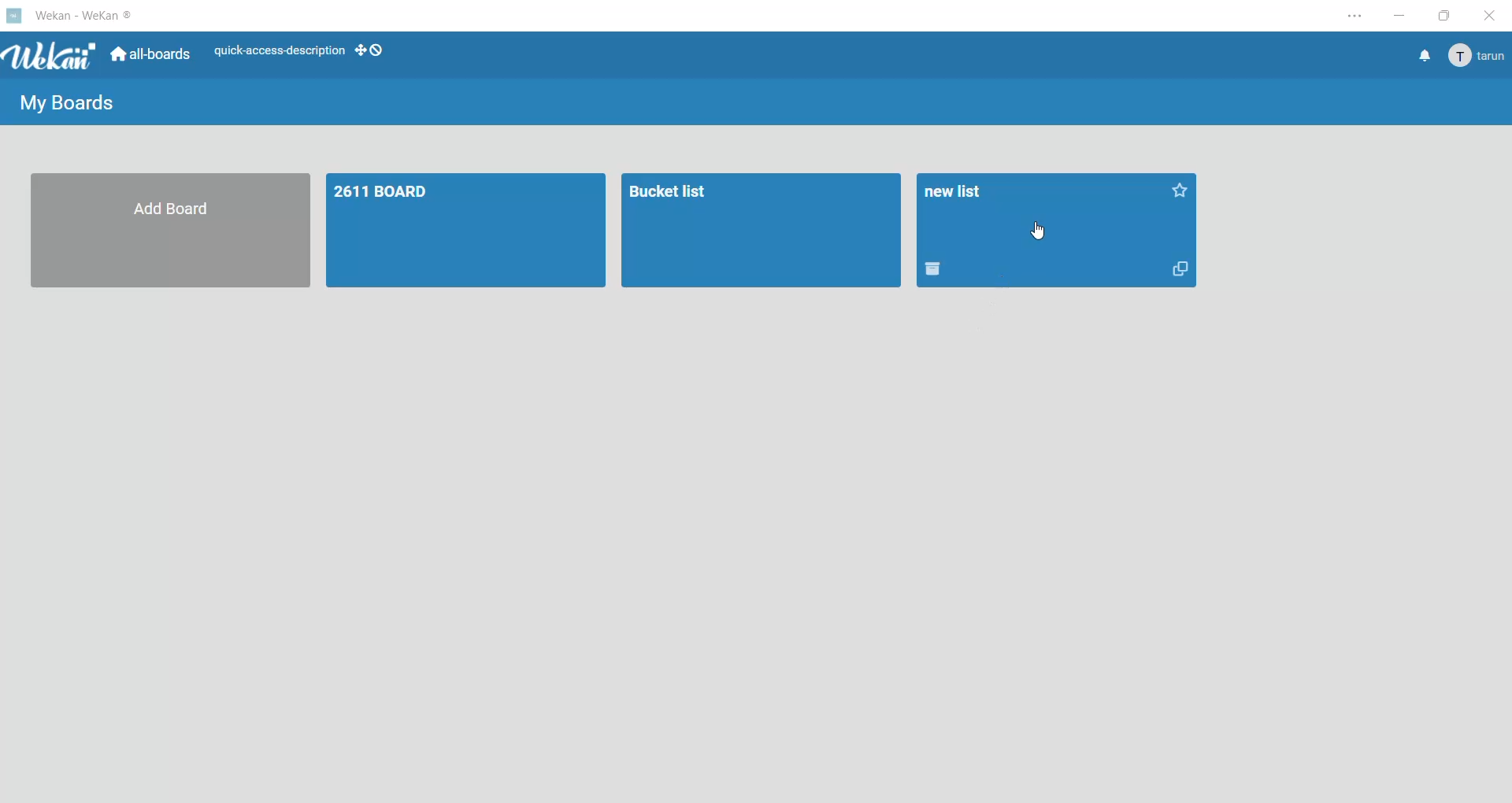  Describe the element at coordinates (936, 272) in the screenshot. I see `delete` at that location.